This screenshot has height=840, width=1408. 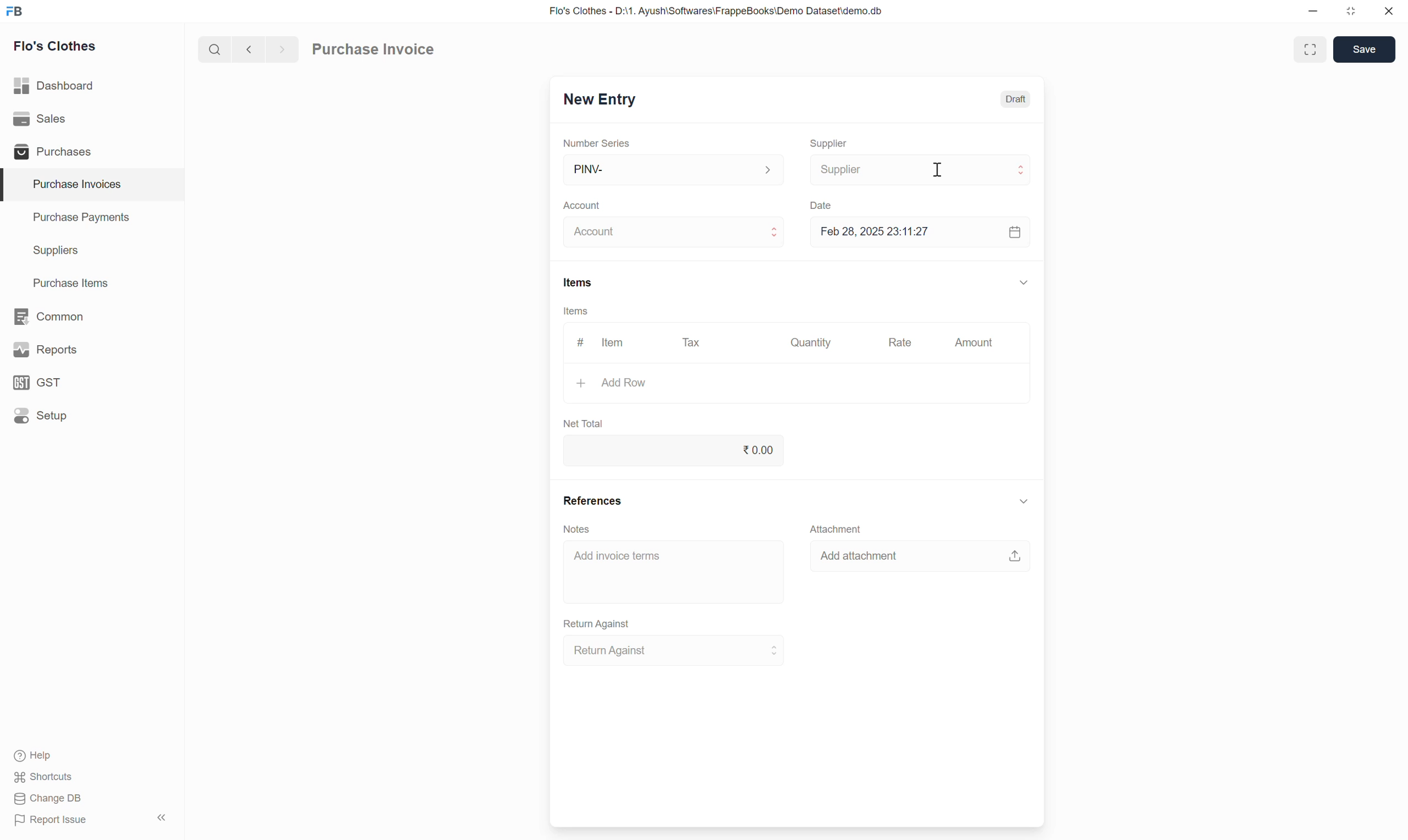 What do you see at coordinates (920, 555) in the screenshot?
I see `Add attachment` at bounding box center [920, 555].